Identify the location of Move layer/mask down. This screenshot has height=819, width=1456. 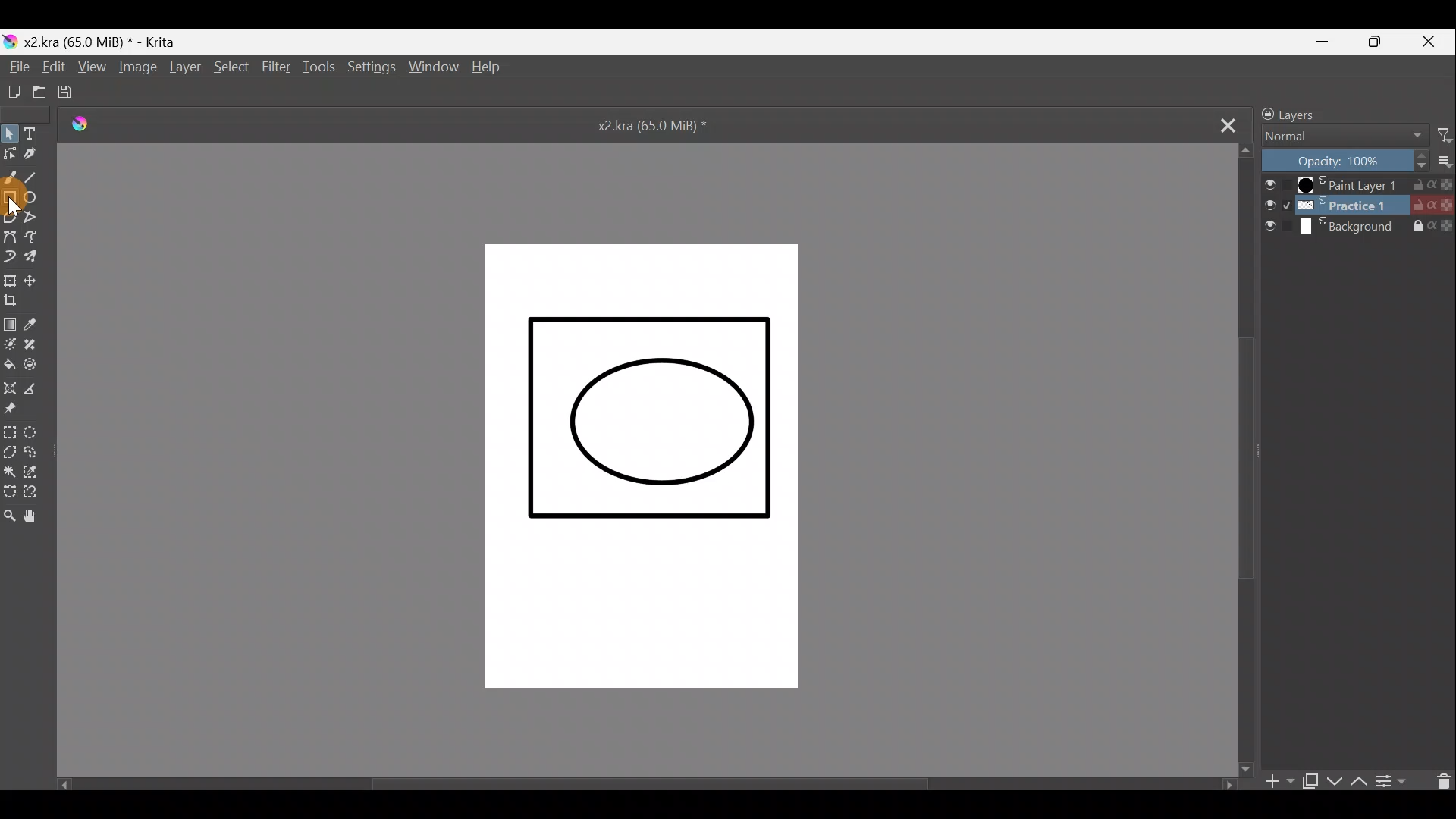
(1335, 783).